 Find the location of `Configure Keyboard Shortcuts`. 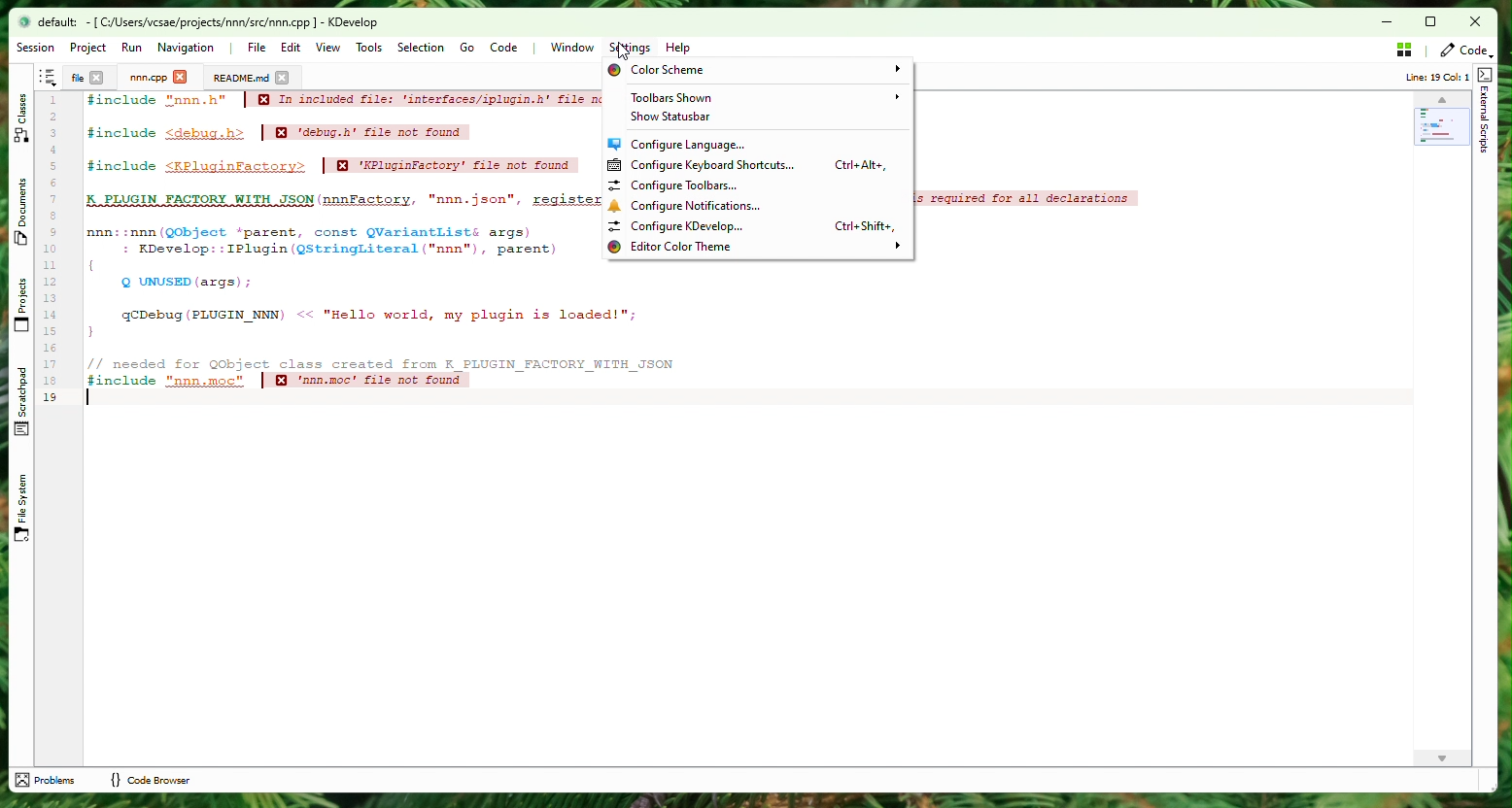

Configure Keyboard Shortcuts is located at coordinates (756, 165).